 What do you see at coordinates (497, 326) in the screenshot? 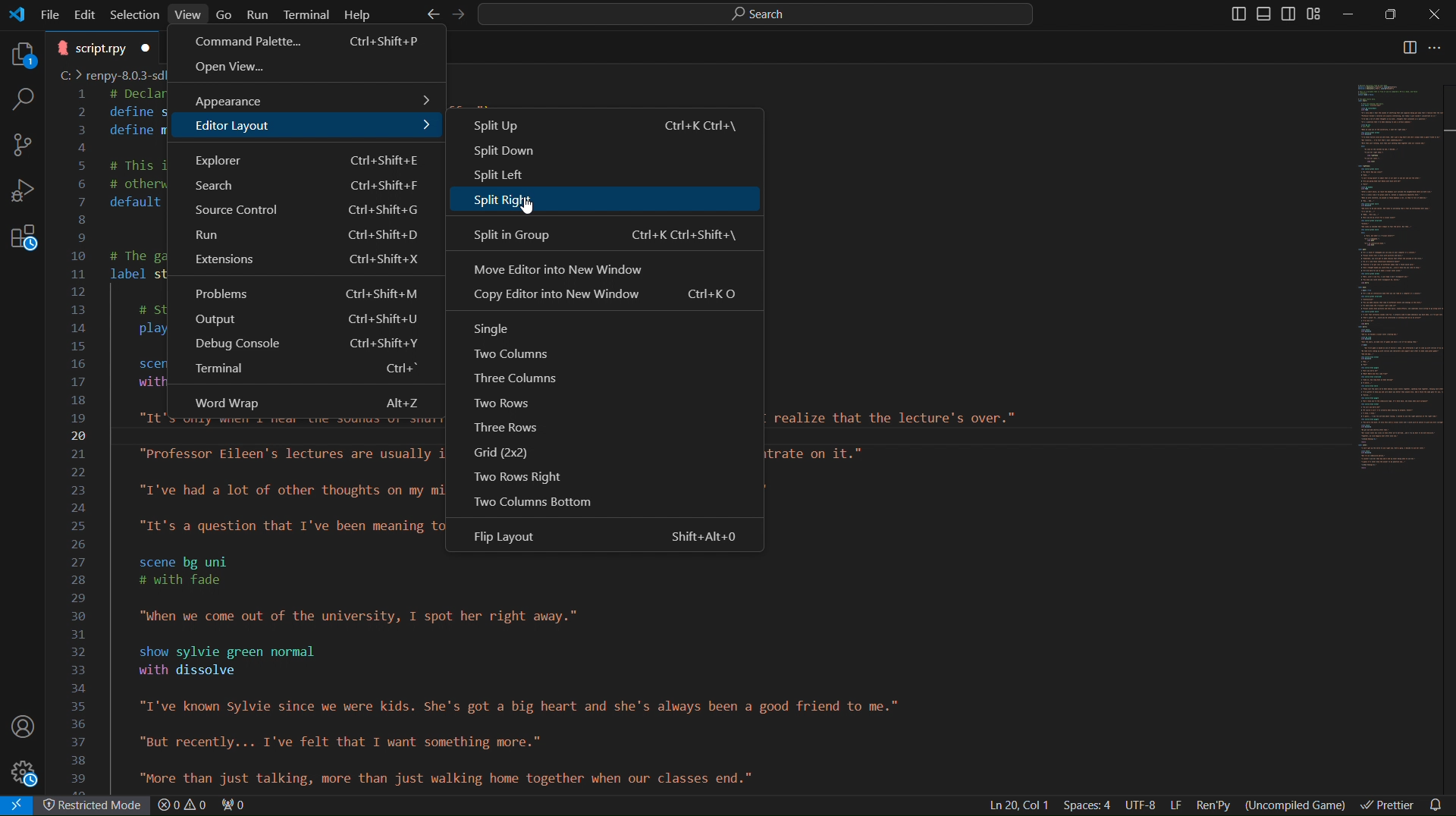
I see `Single` at bounding box center [497, 326].